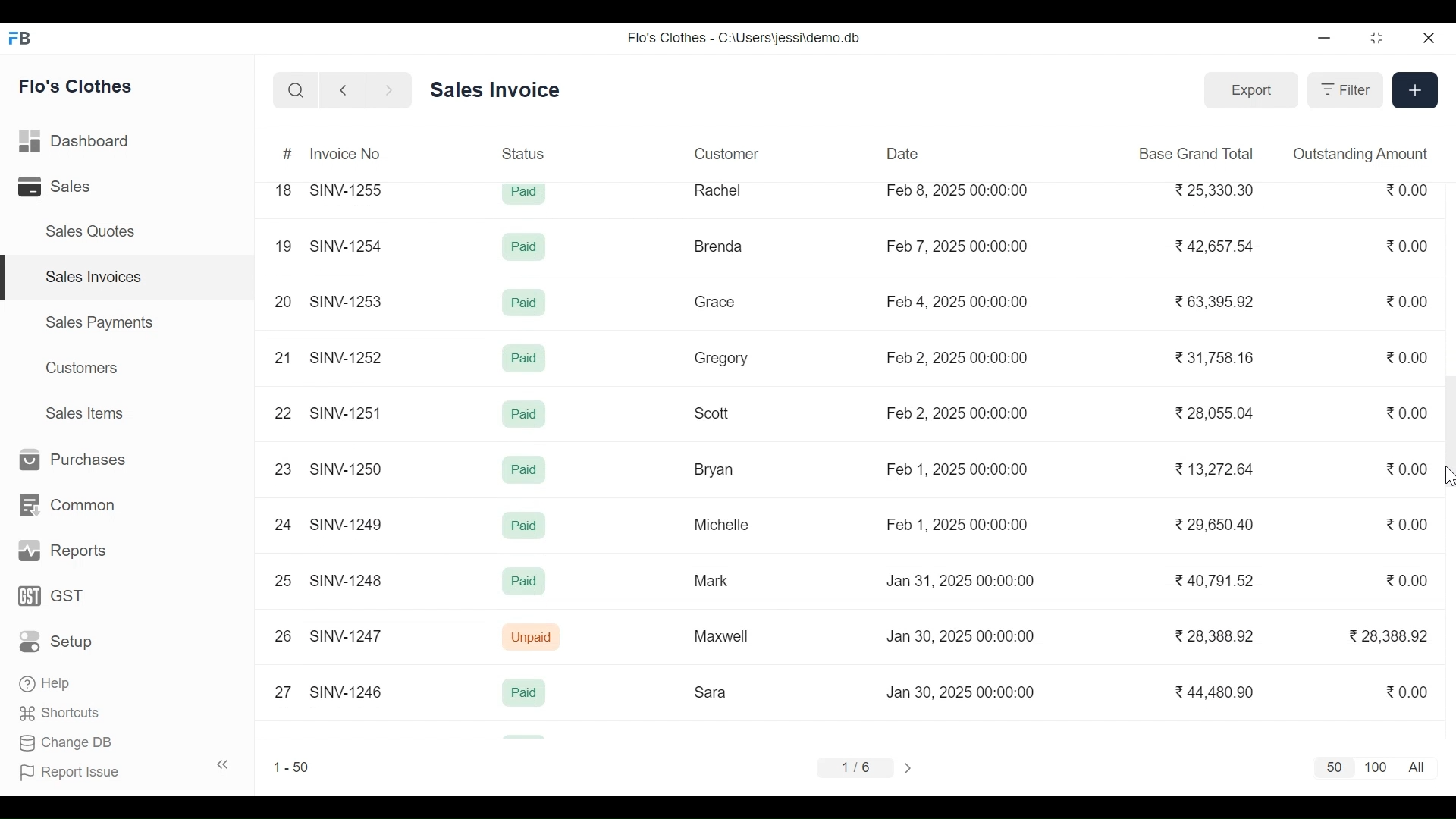  What do you see at coordinates (961, 581) in the screenshot?
I see `Jan 31, 2025 00:00:00` at bounding box center [961, 581].